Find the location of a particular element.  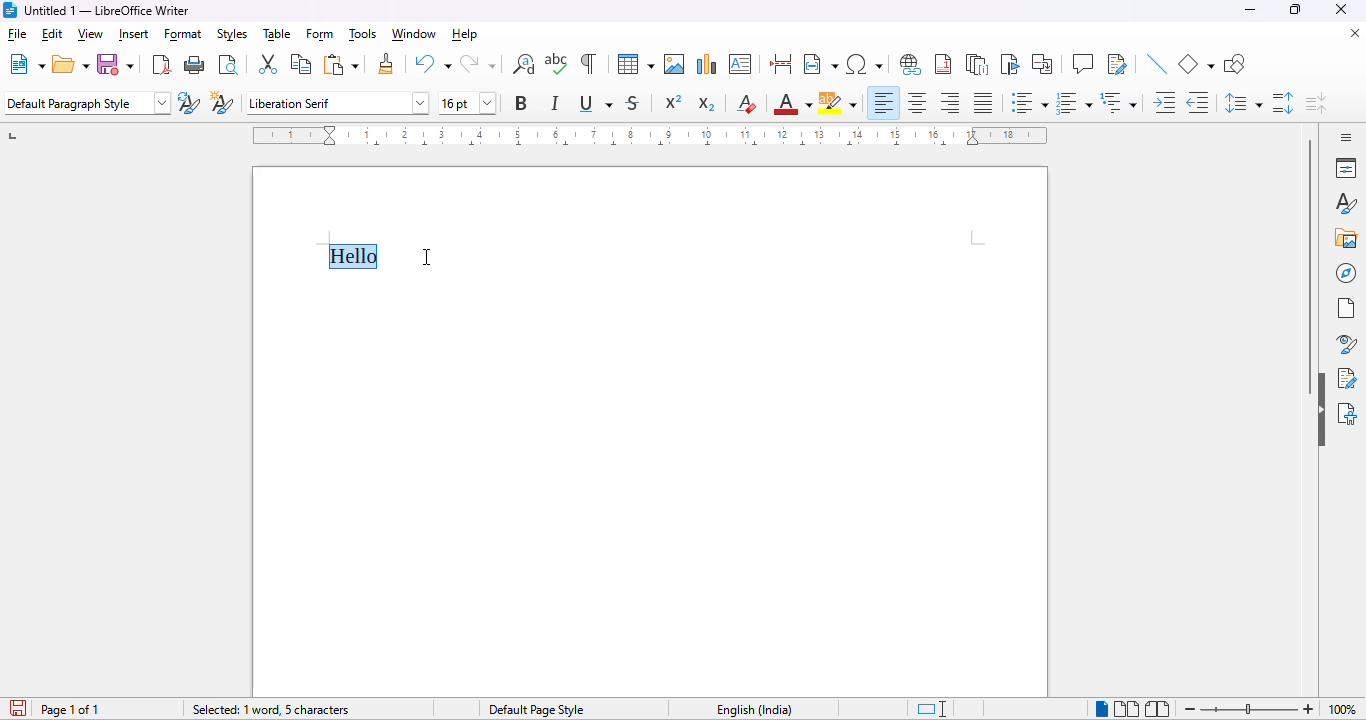

insert line is located at coordinates (1158, 65).